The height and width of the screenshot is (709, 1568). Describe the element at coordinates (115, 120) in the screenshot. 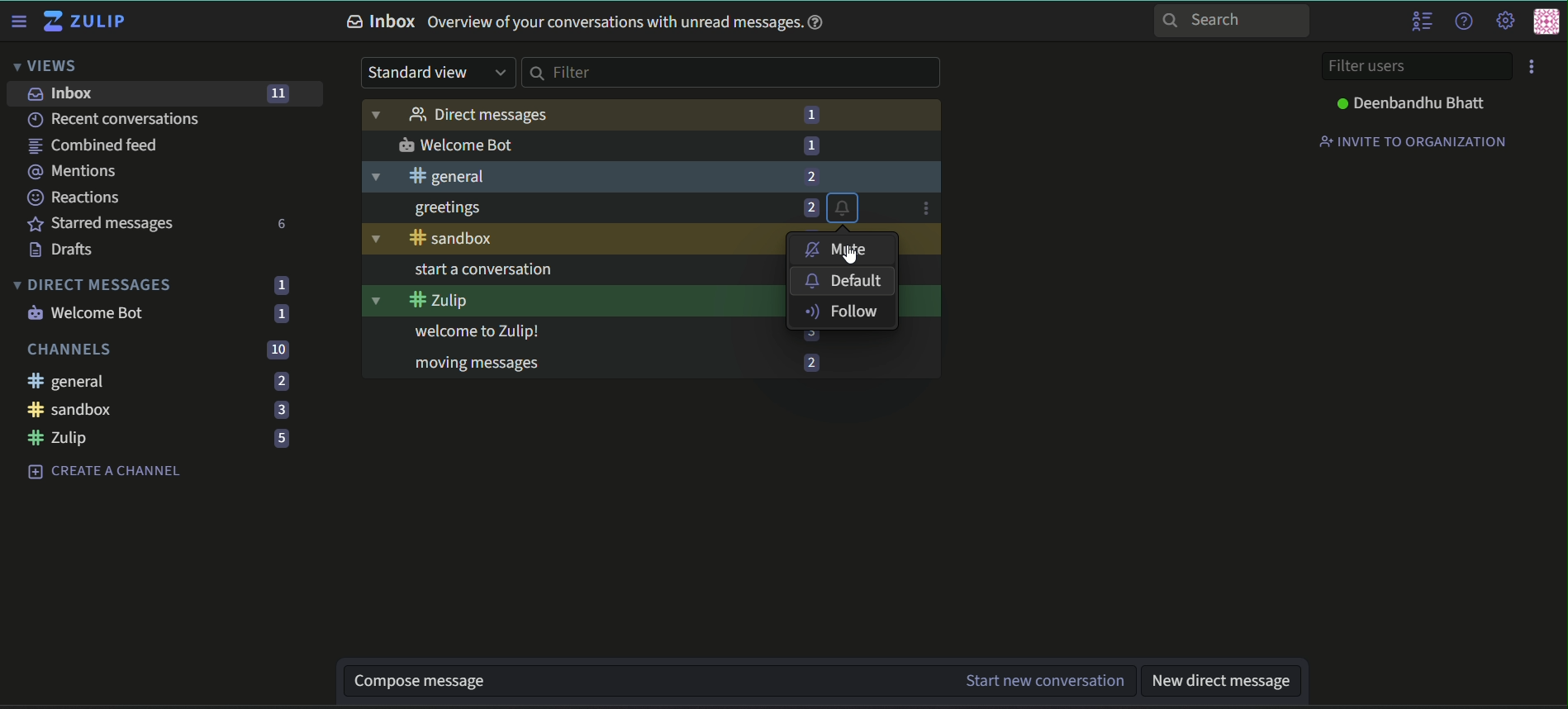

I see `recent conversations` at that location.